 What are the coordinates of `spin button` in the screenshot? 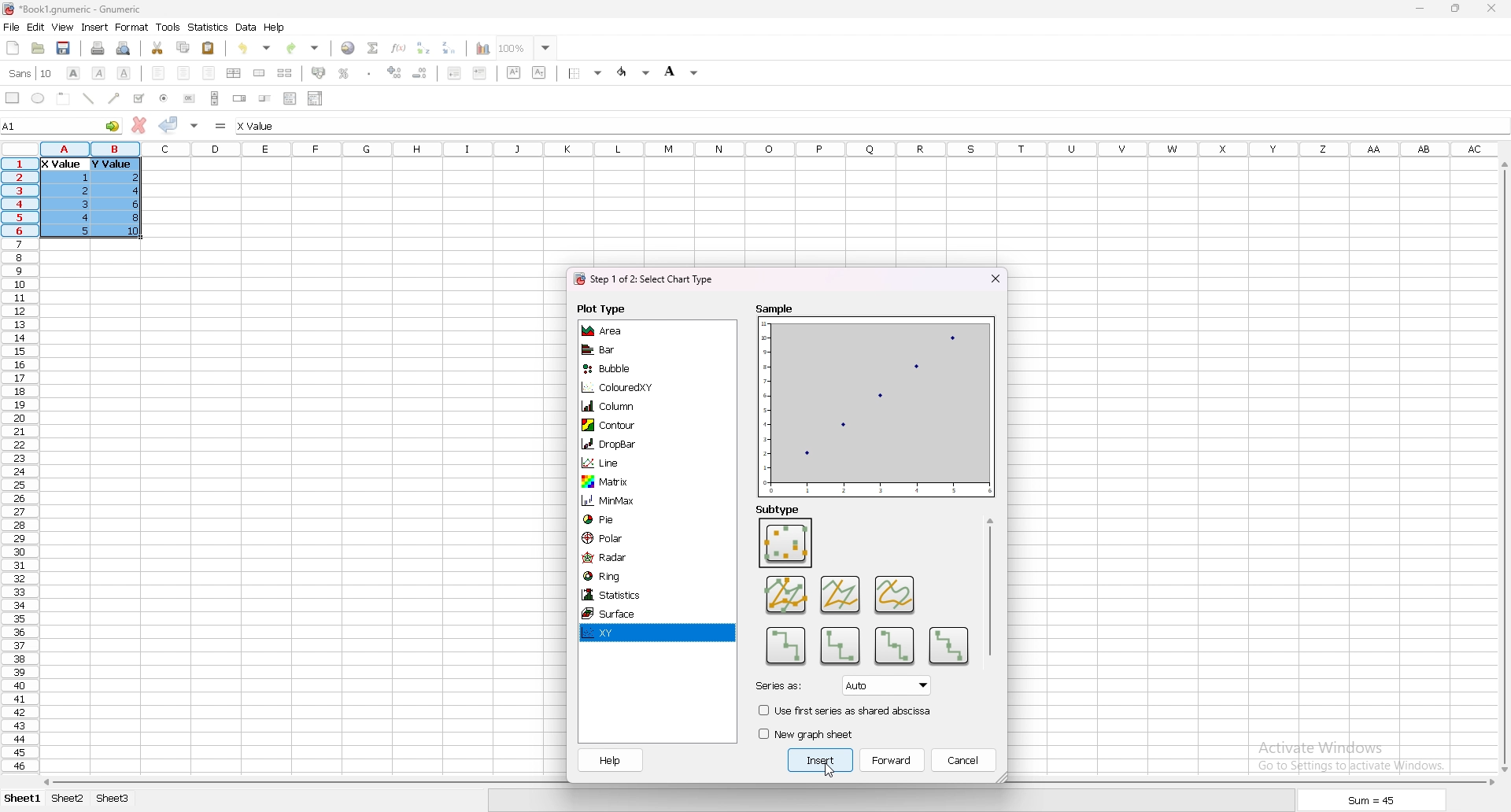 It's located at (240, 98).